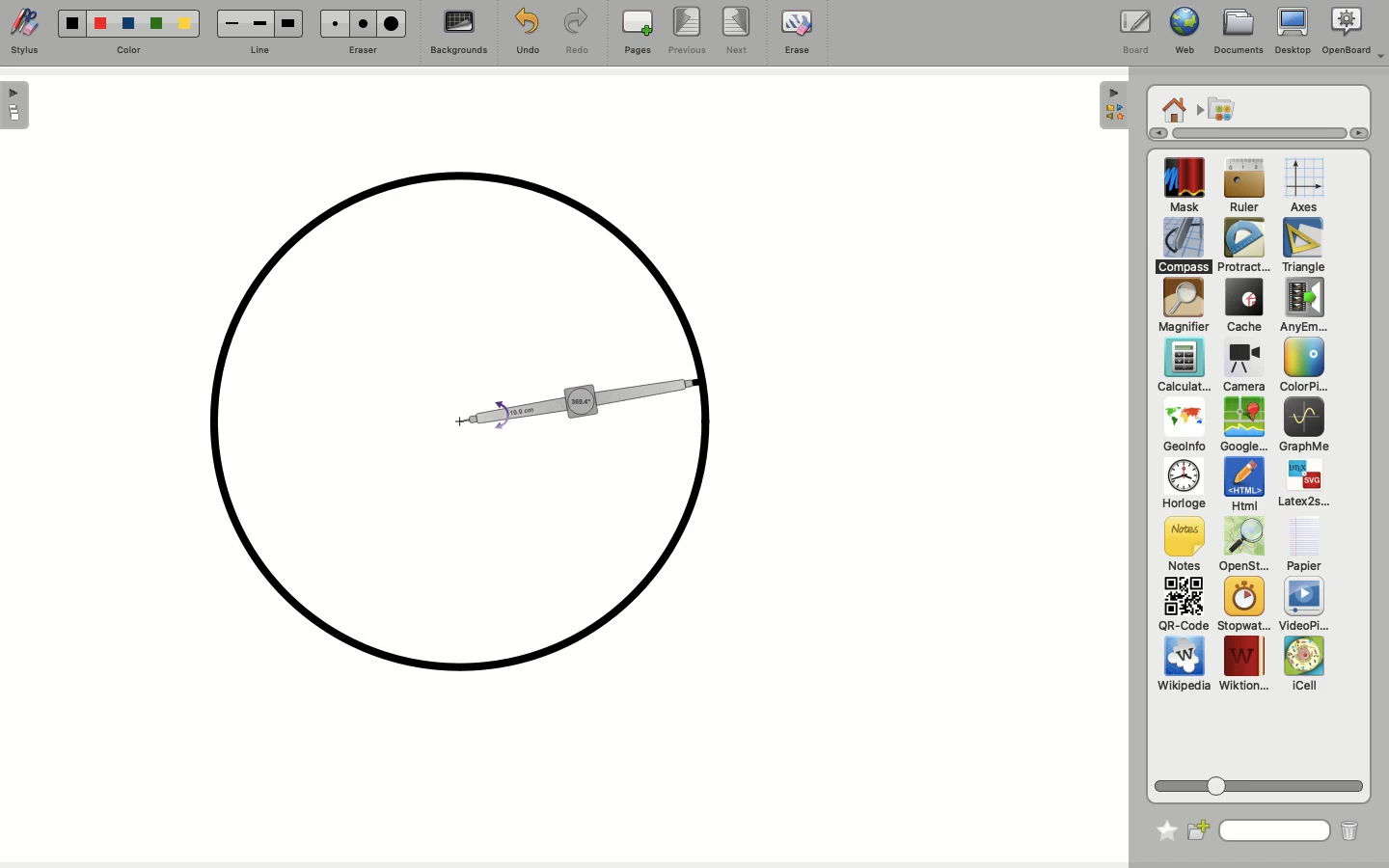 The height and width of the screenshot is (868, 1389). What do you see at coordinates (702, 381) in the screenshot?
I see `mouse up` at bounding box center [702, 381].